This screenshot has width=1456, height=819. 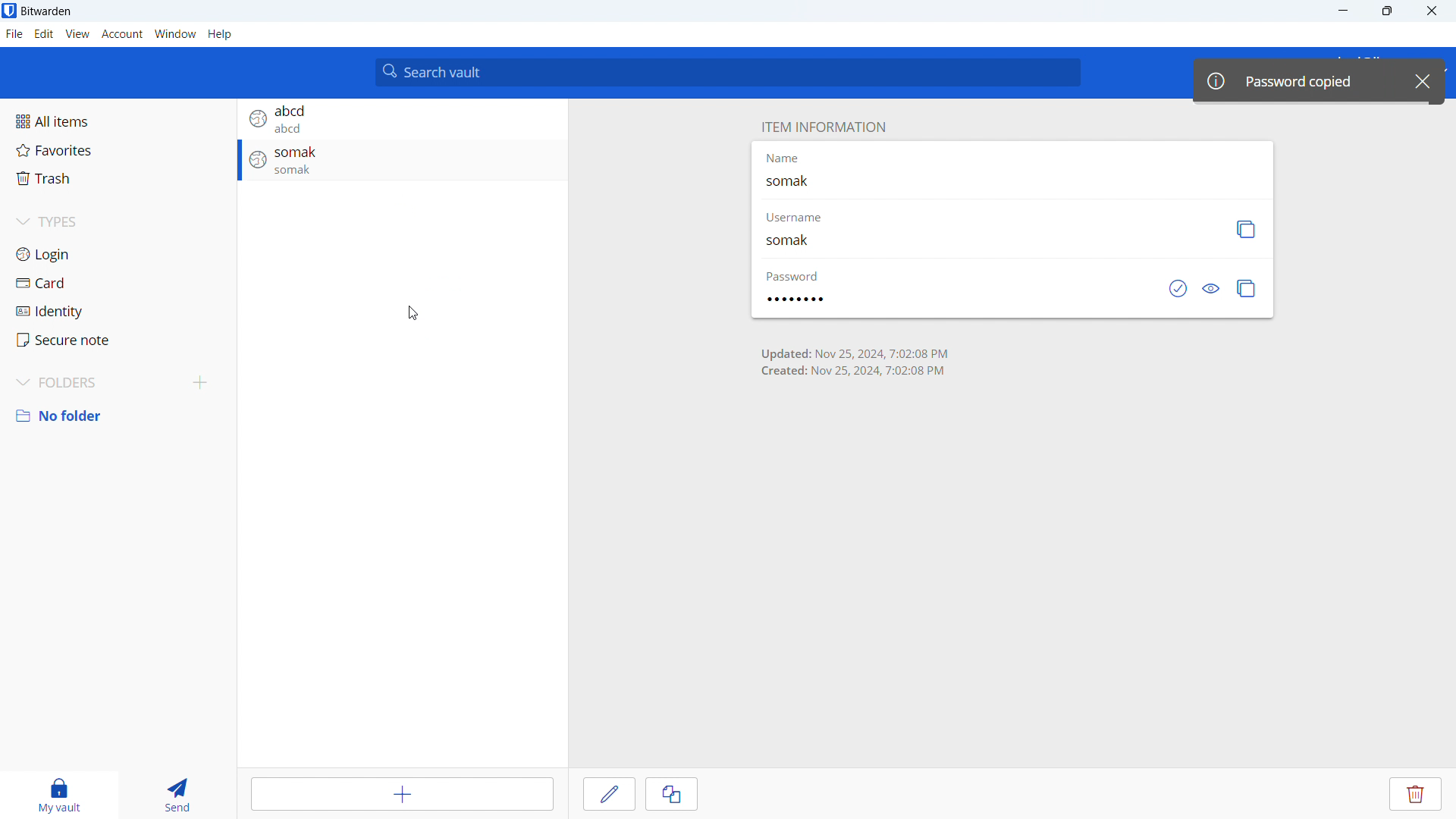 What do you see at coordinates (1247, 230) in the screenshot?
I see `copy username` at bounding box center [1247, 230].